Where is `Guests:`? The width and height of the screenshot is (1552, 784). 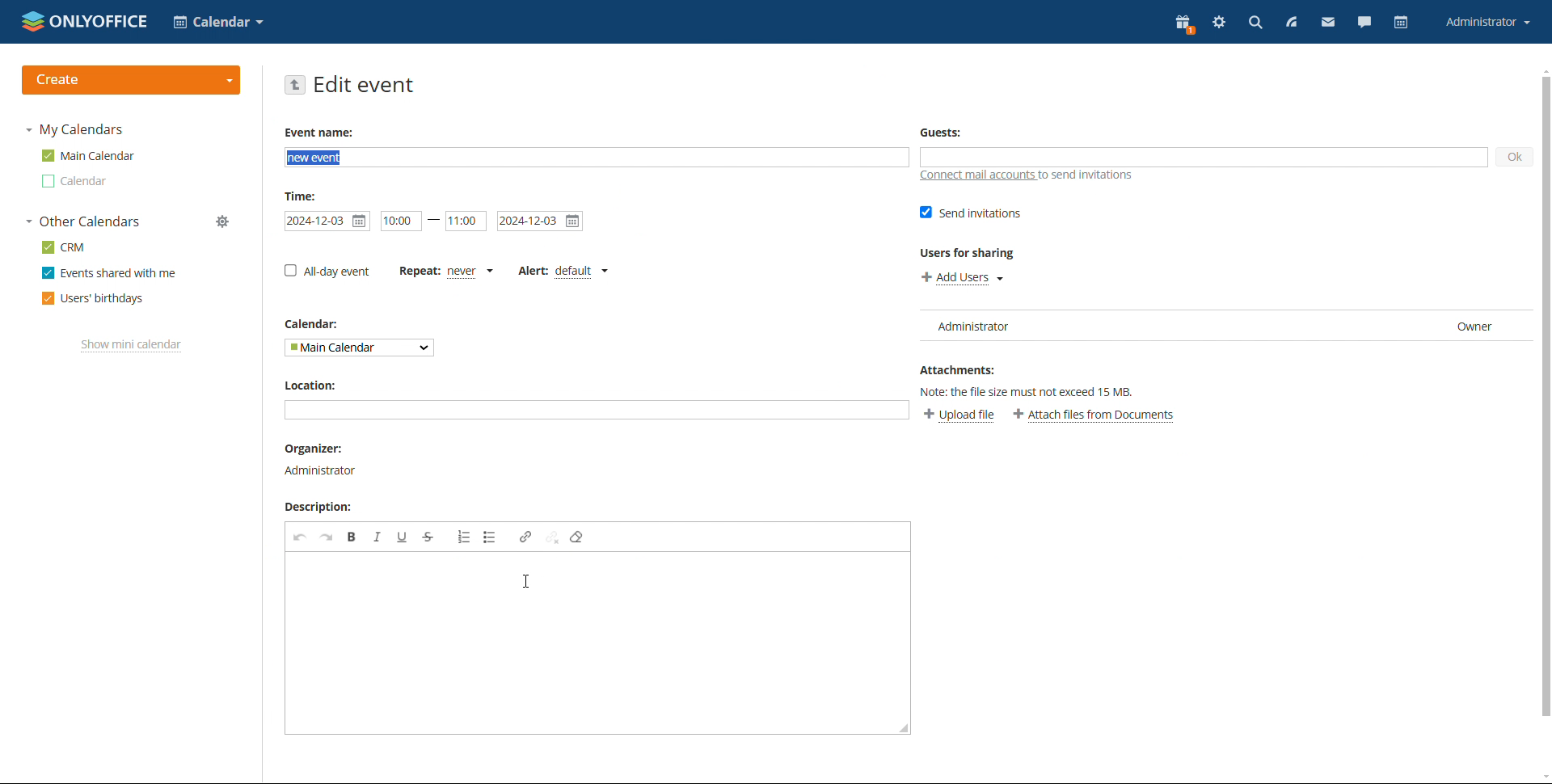
Guests: is located at coordinates (940, 130).